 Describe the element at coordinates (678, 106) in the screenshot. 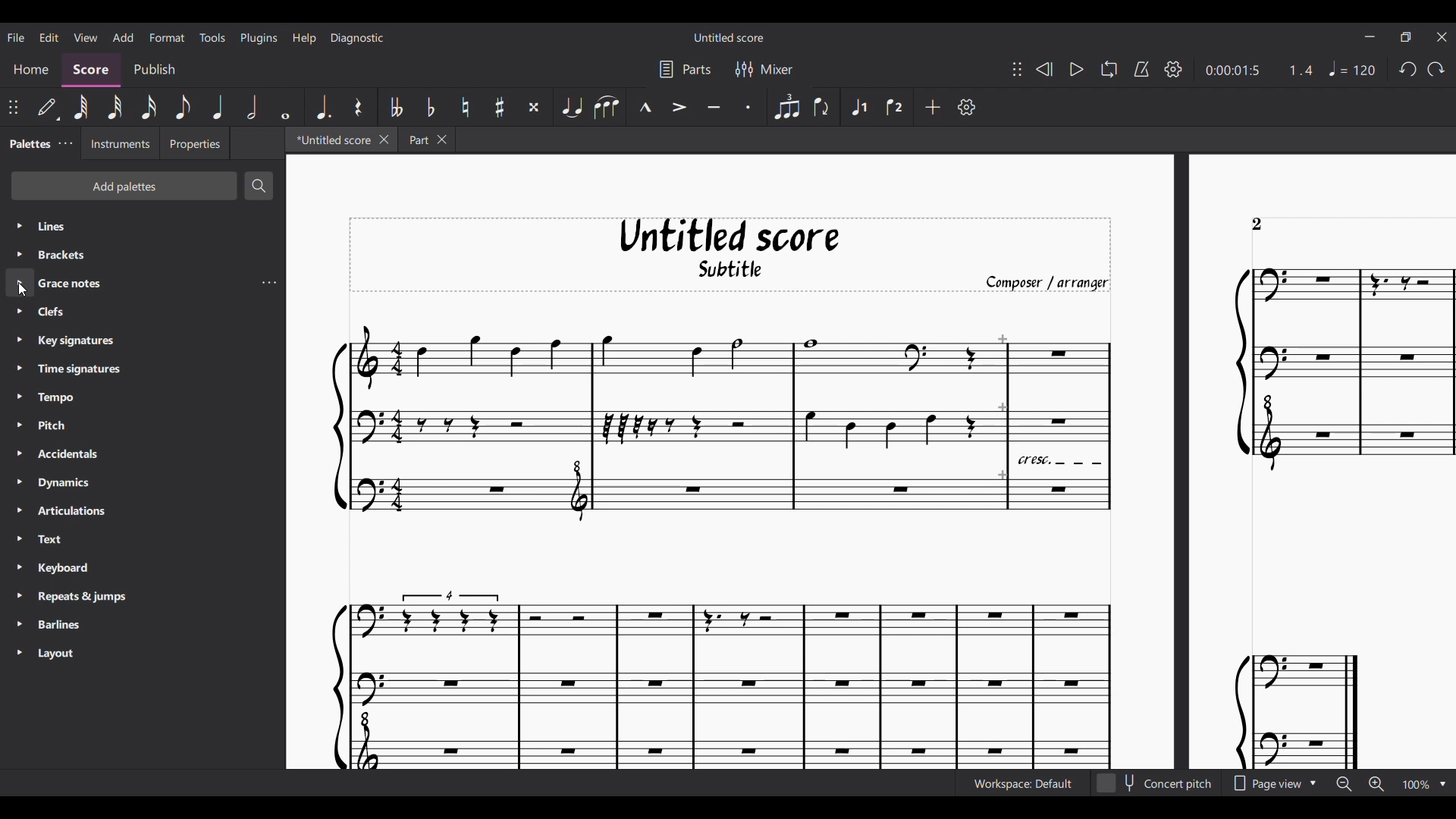

I see `Accent` at that location.